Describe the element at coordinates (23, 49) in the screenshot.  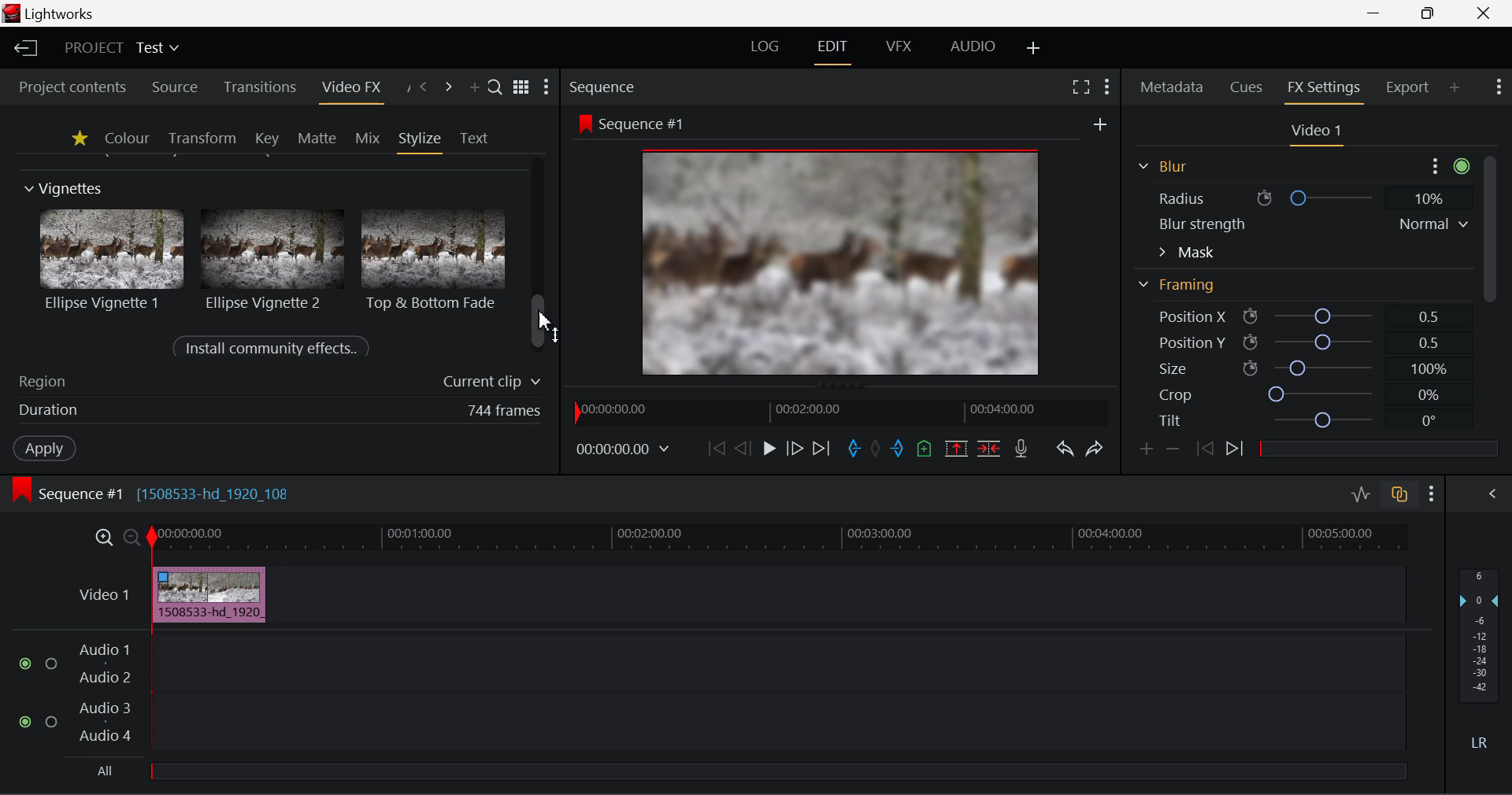
I see `Back to Homepage` at that location.